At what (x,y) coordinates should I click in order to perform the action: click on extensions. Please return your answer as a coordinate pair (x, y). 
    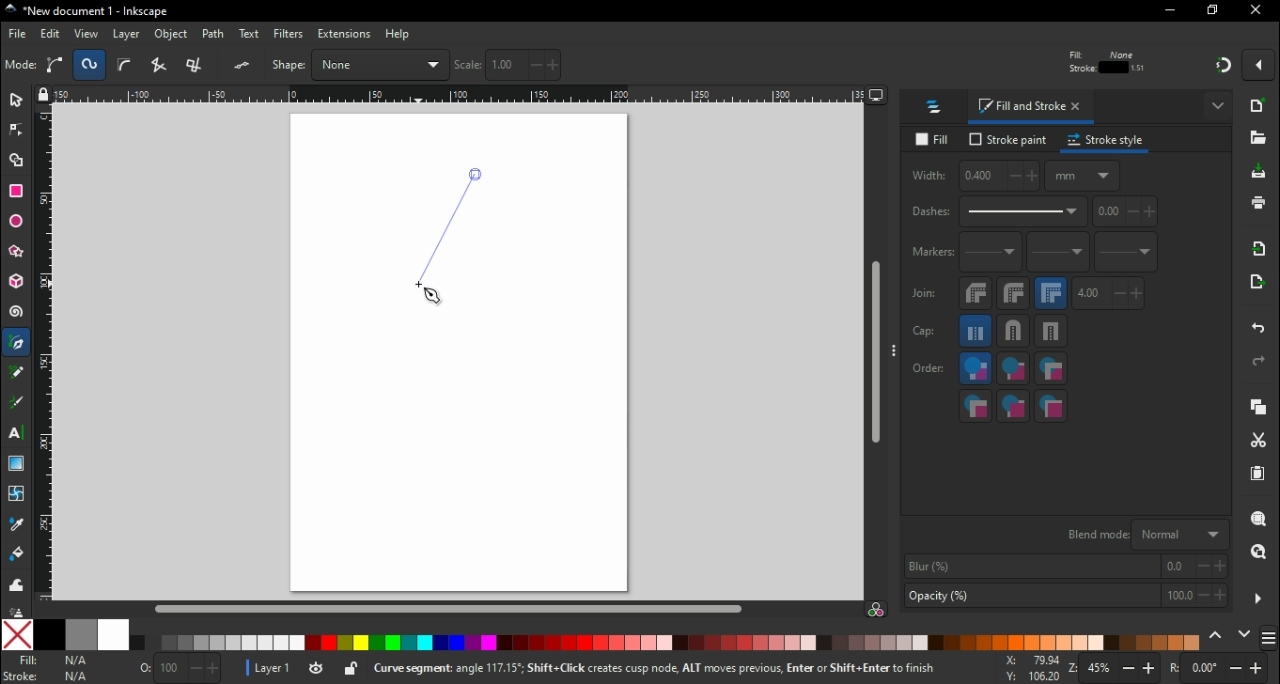
    Looking at the image, I should click on (343, 35).